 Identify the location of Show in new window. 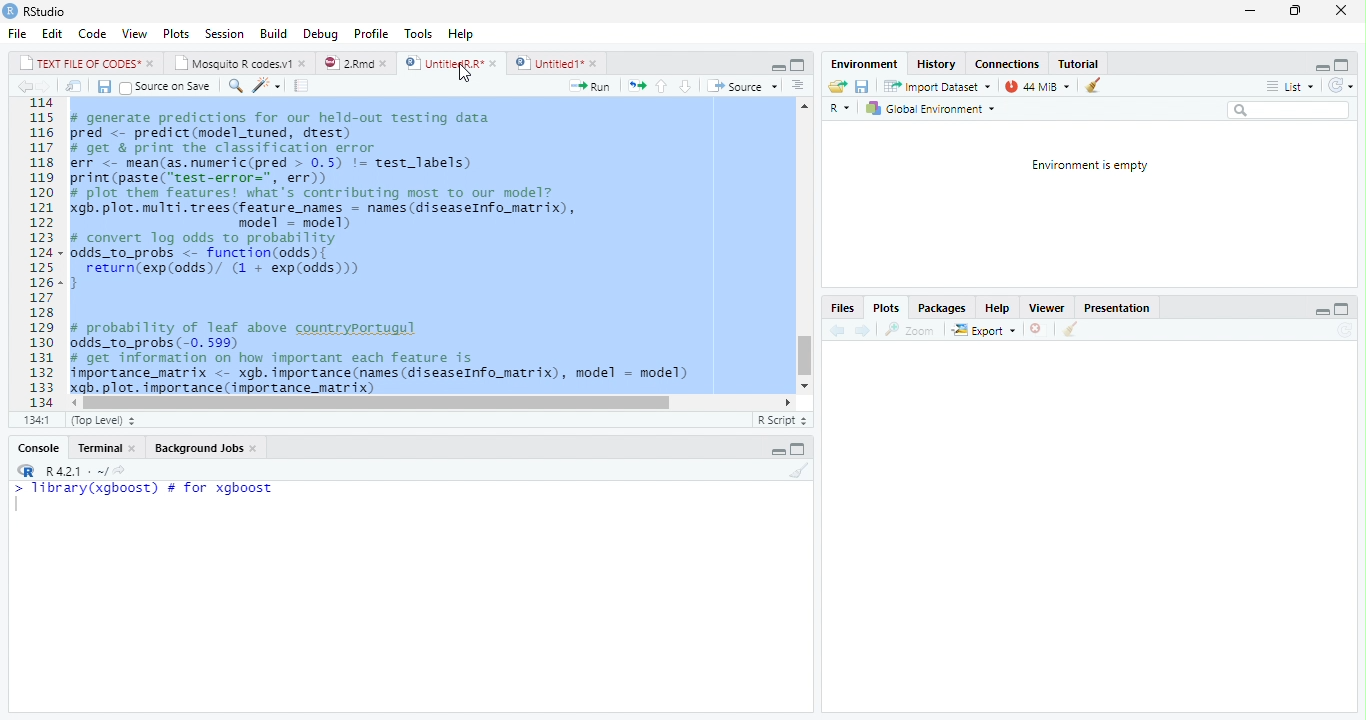
(70, 86).